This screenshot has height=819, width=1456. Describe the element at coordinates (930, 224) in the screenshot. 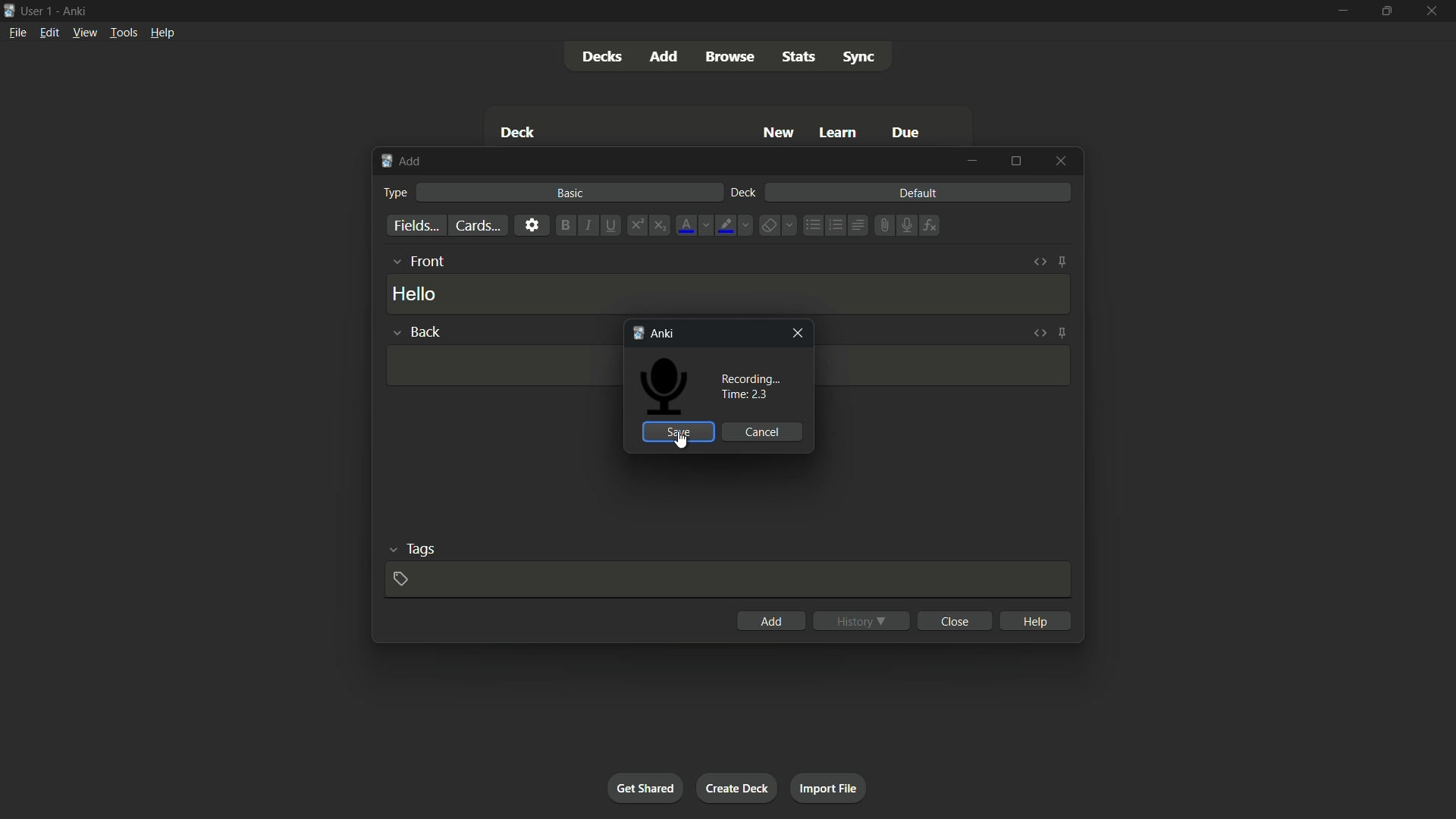

I see `equation` at that location.